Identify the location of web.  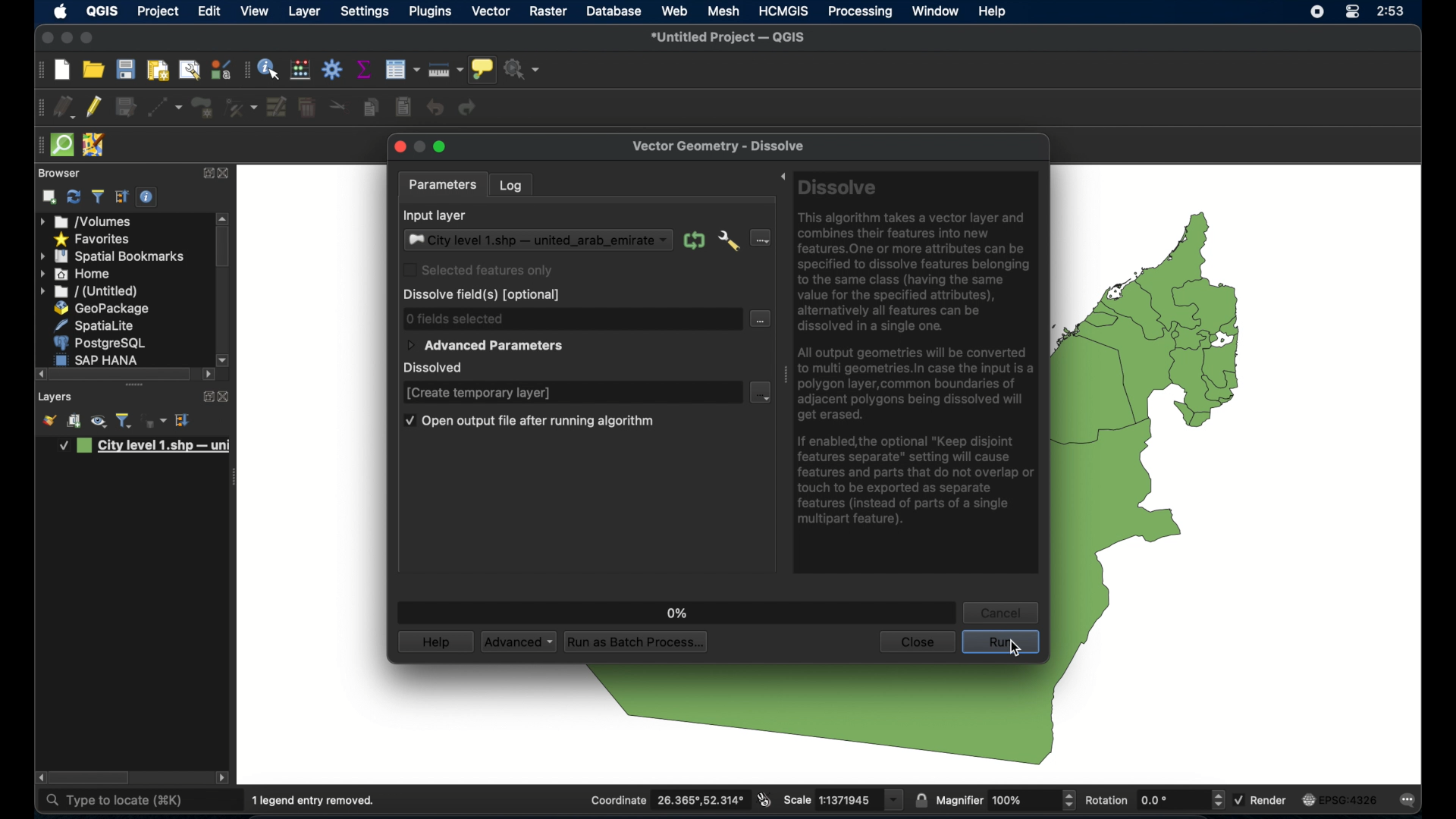
(674, 11).